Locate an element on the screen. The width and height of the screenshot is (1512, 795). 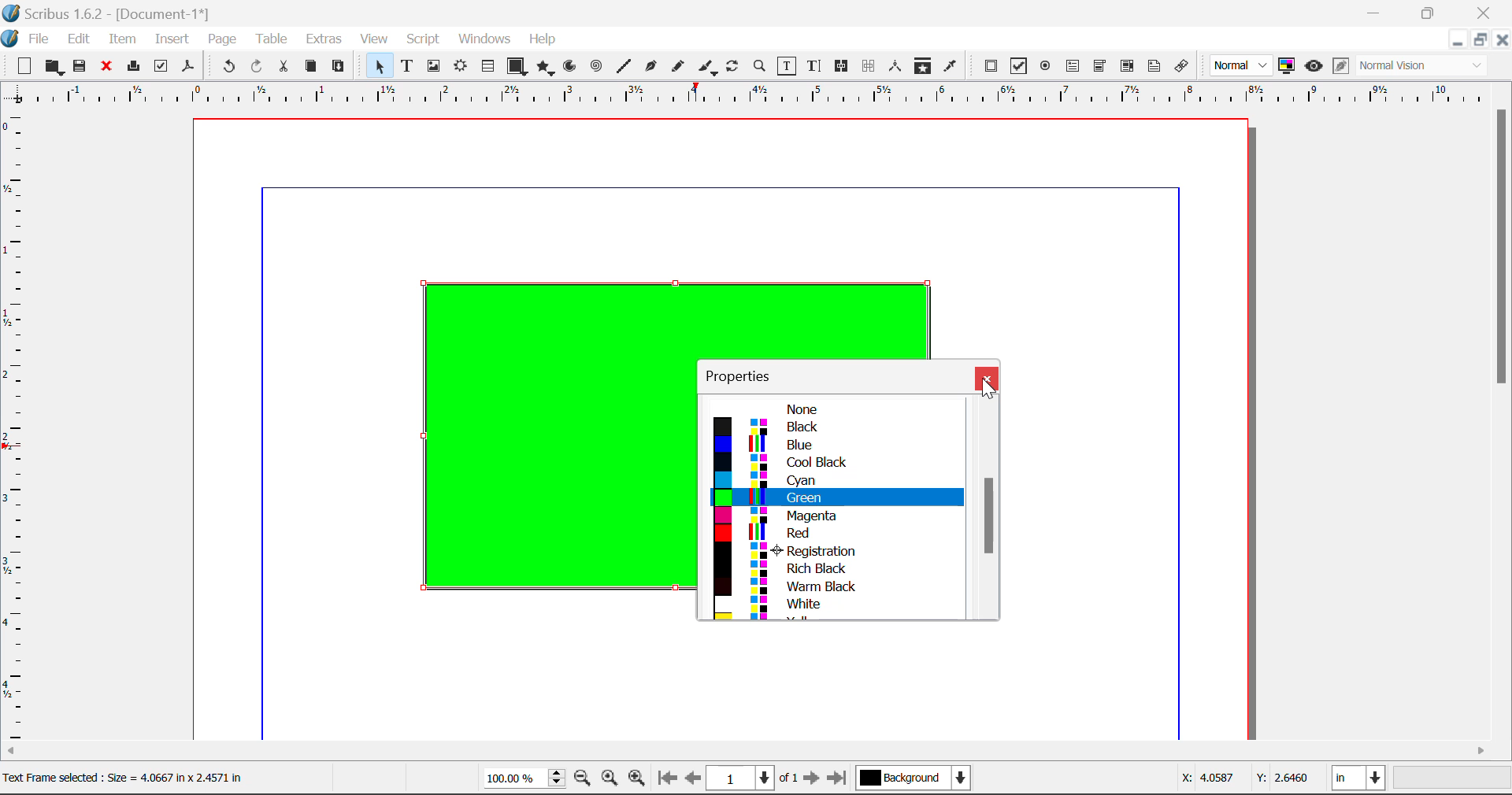
View is located at coordinates (375, 40).